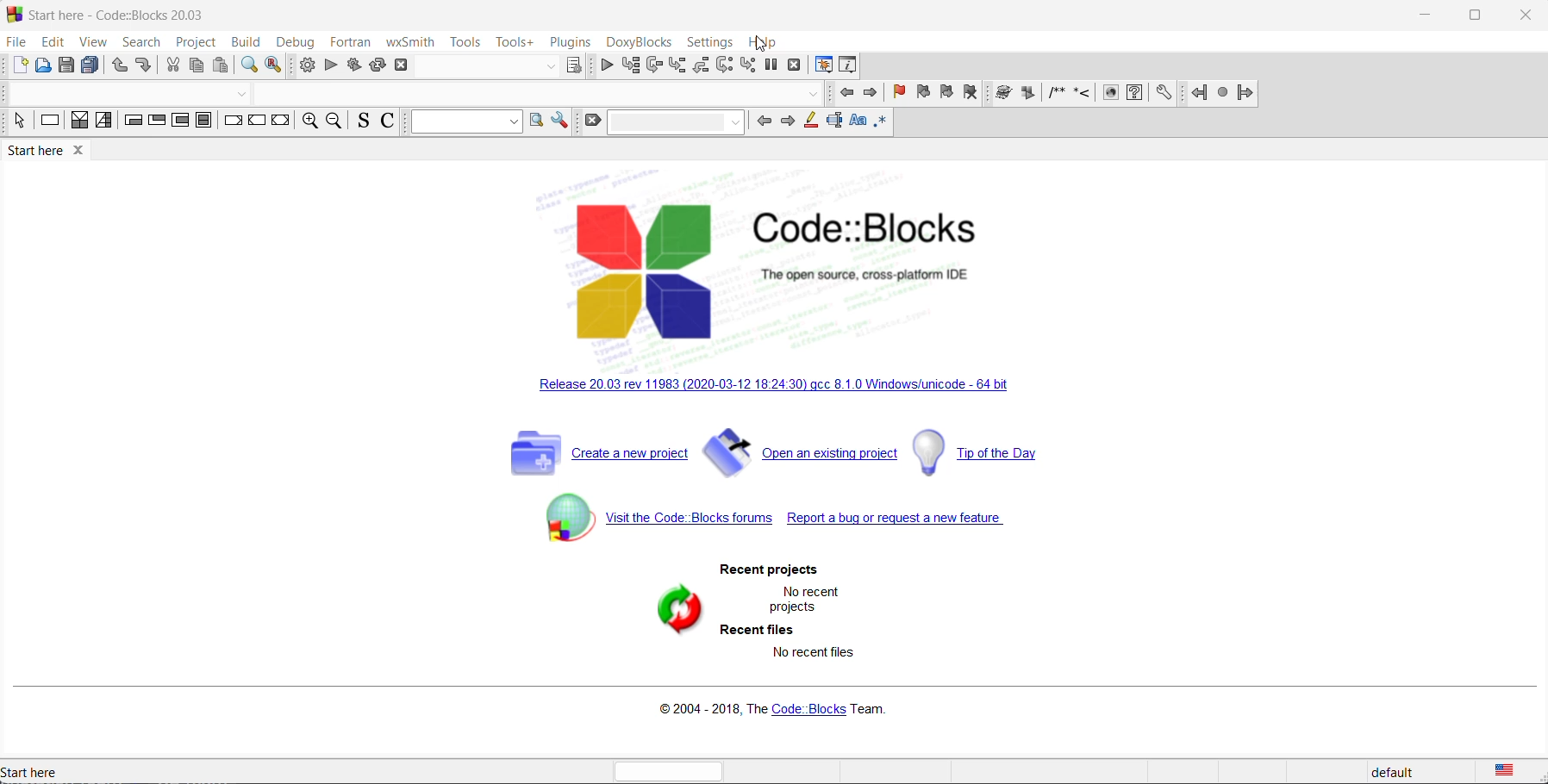 The width and height of the screenshot is (1548, 784). What do you see at coordinates (296, 40) in the screenshot?
I see `debug` at bounding box center [296, 40].